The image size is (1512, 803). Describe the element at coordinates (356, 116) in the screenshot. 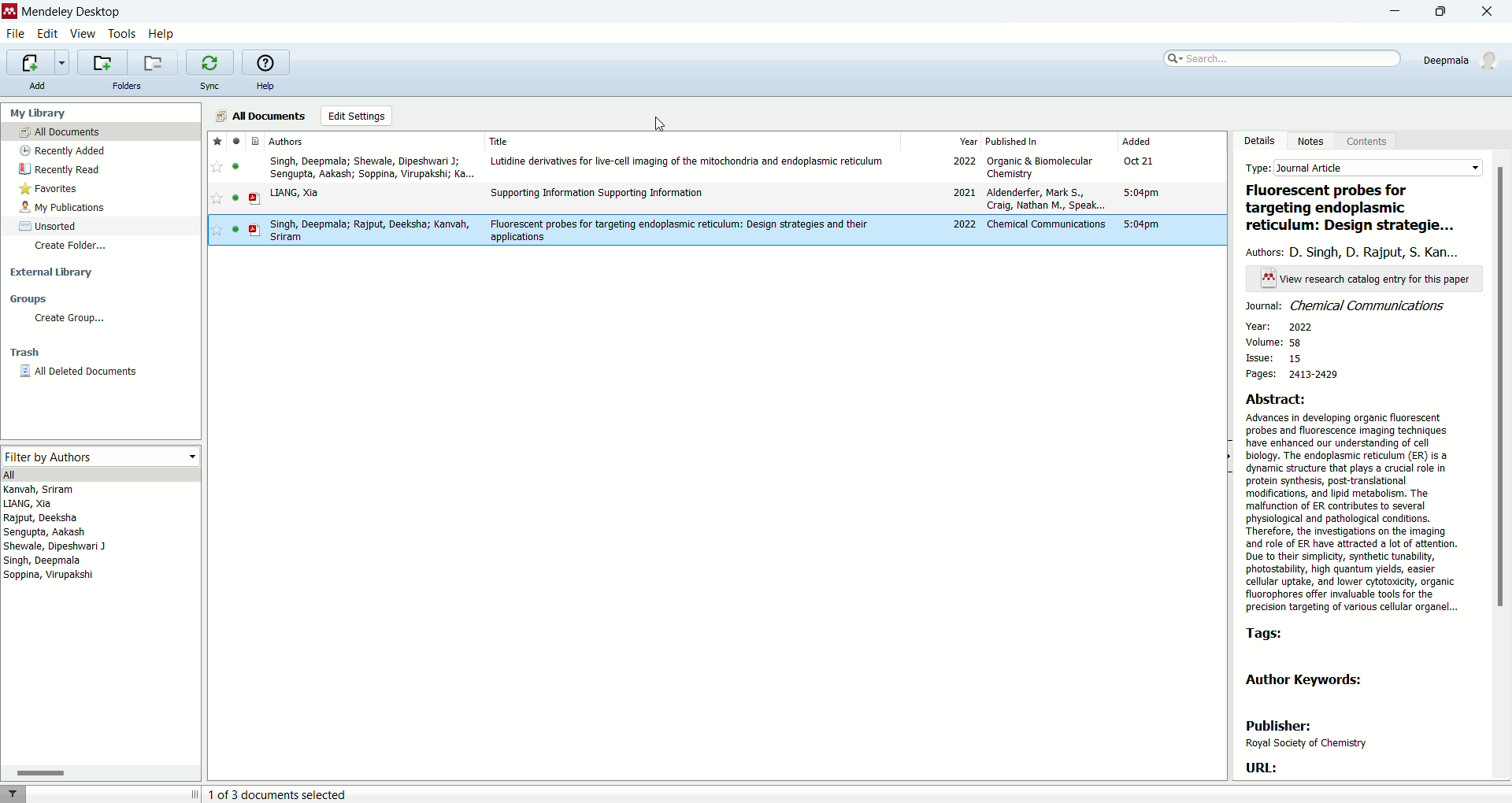

I see `edit settings` at that location.